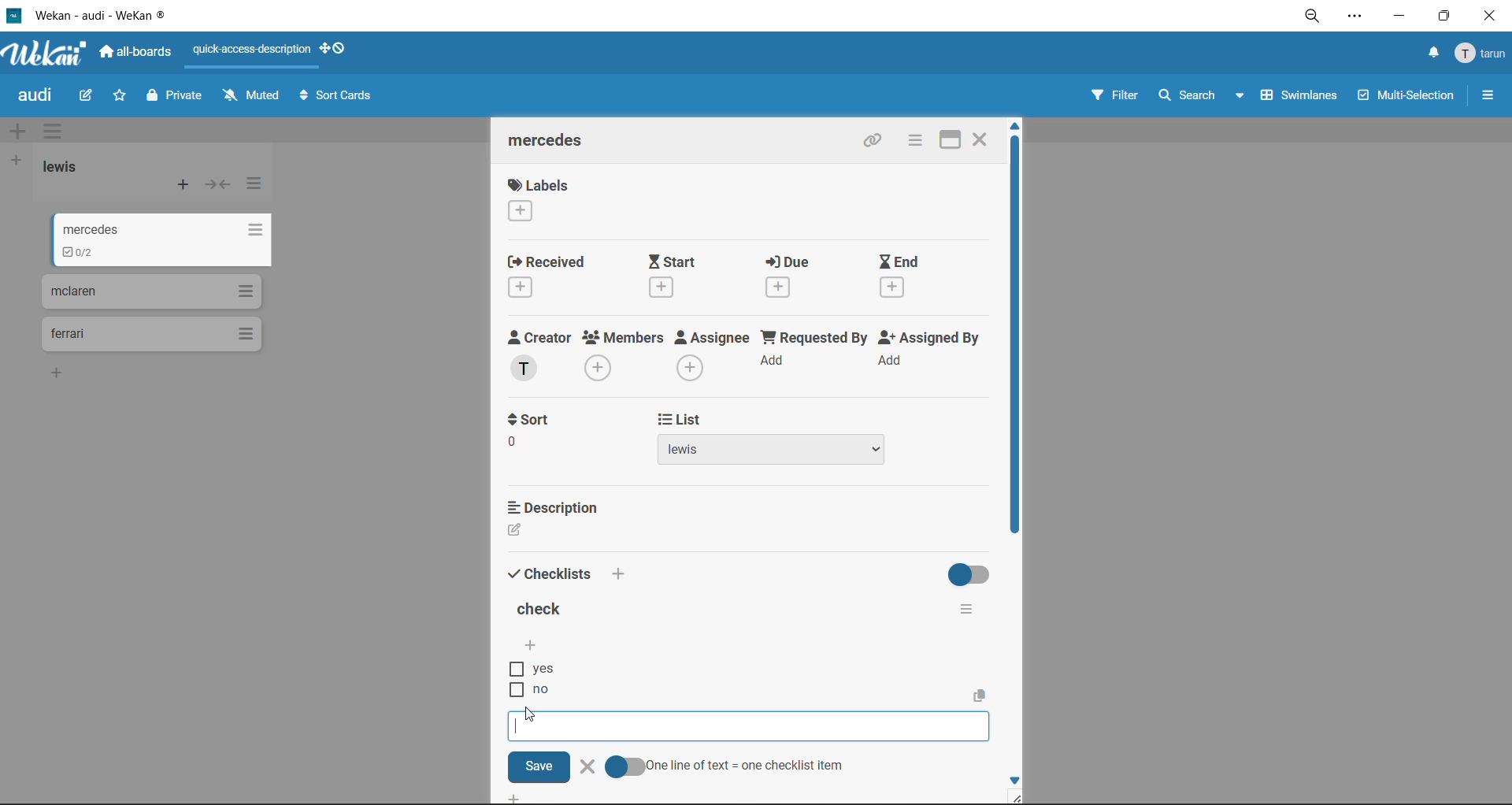 This screenshot has height=805, width=1512. What do you see at coordinates (782, 287) in the screenshot?
I see `Add Due Time` at bounding box center [782, 287].